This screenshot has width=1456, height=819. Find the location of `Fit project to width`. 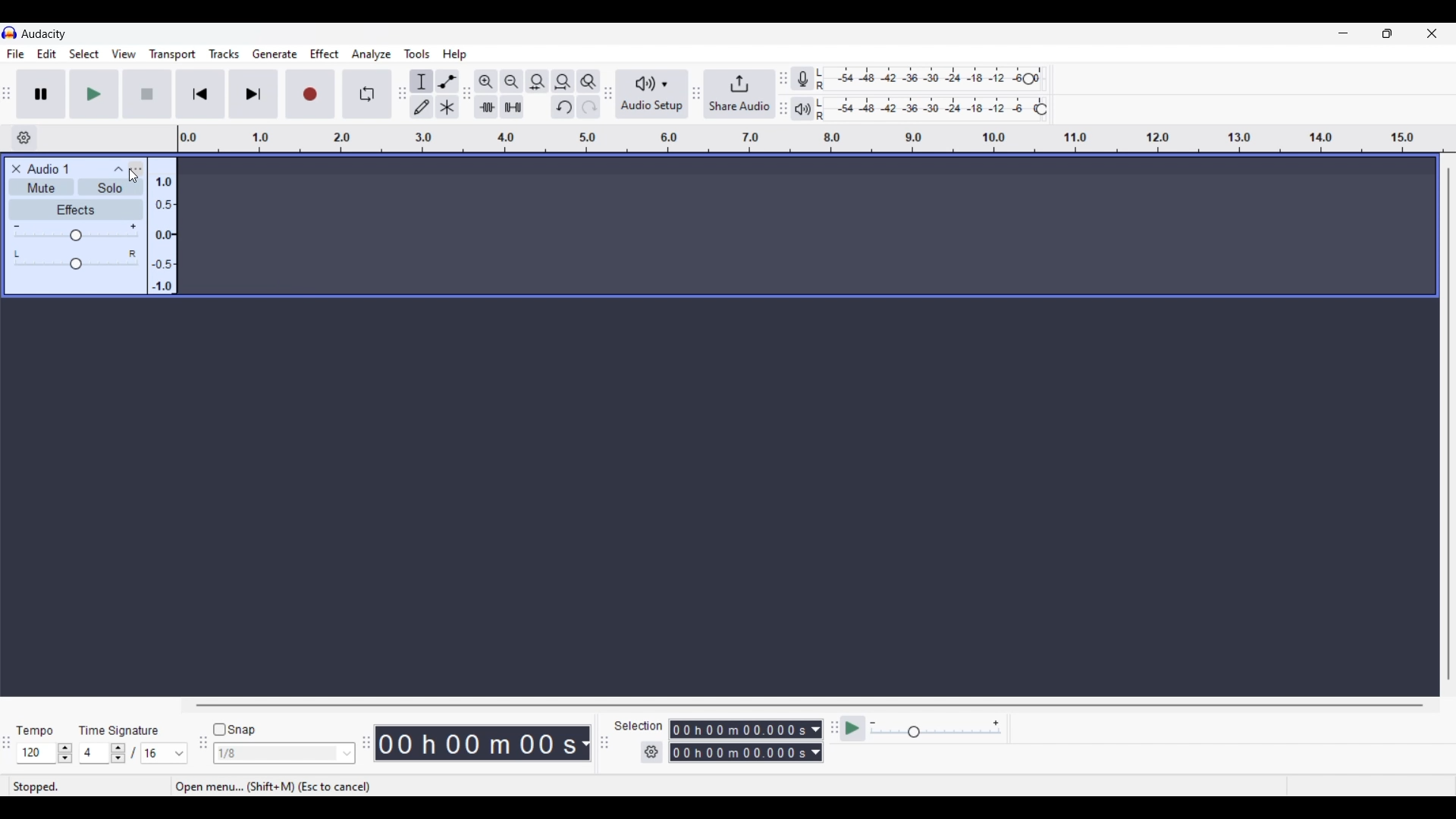

Fit project to width is located at coordinates (563, 81).